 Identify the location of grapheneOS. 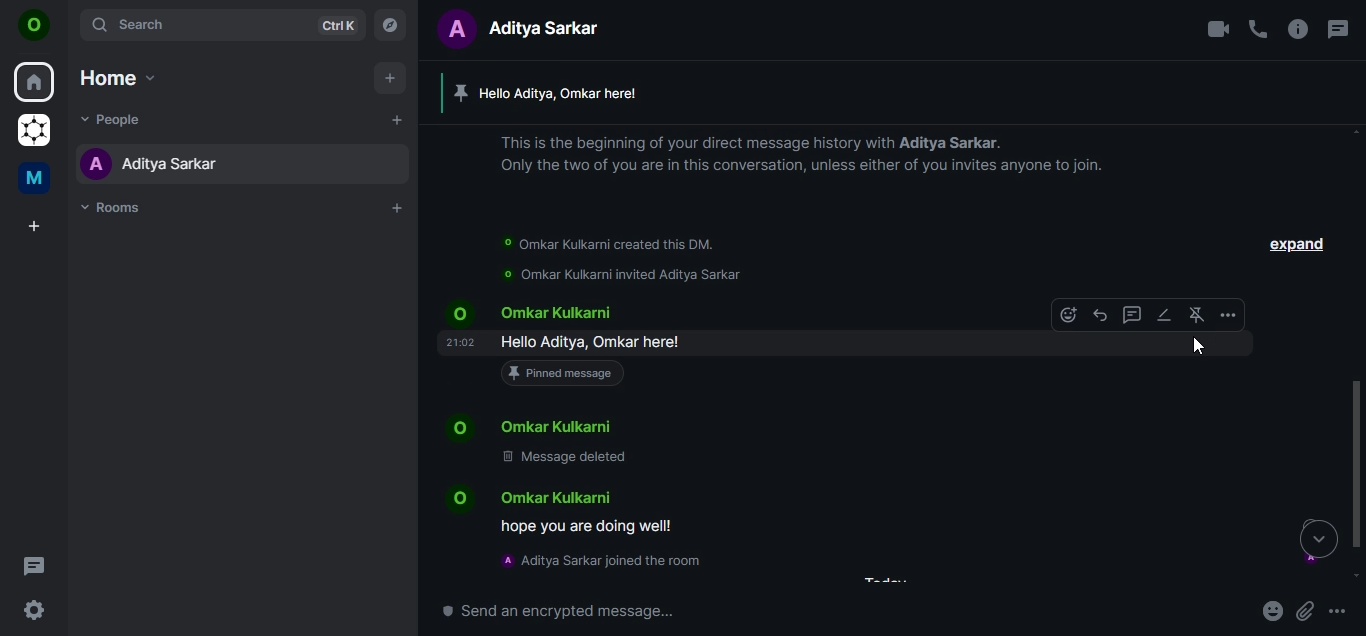
(32, 131).